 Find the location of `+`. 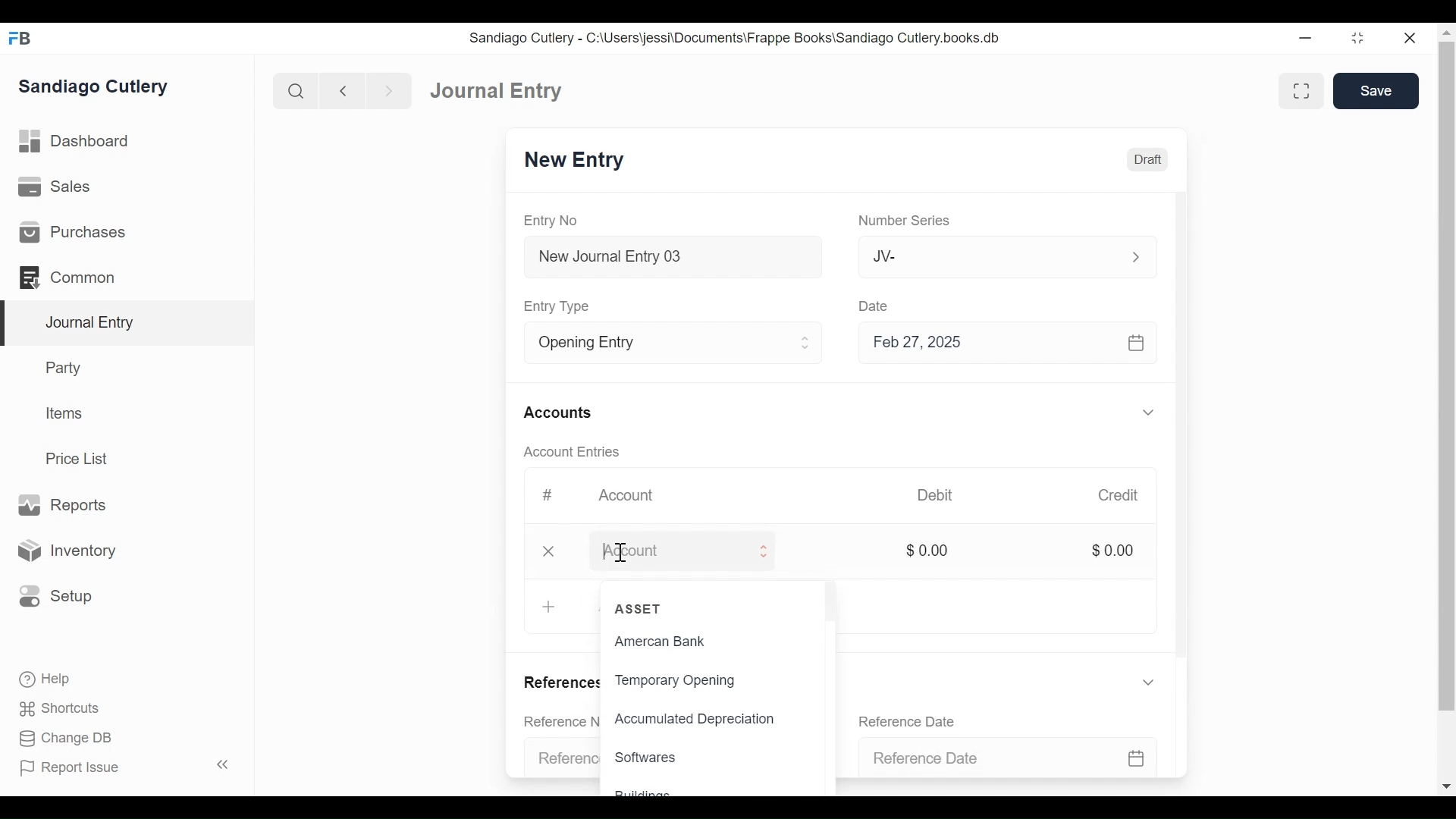

+ is located at coordinates (549, 606).